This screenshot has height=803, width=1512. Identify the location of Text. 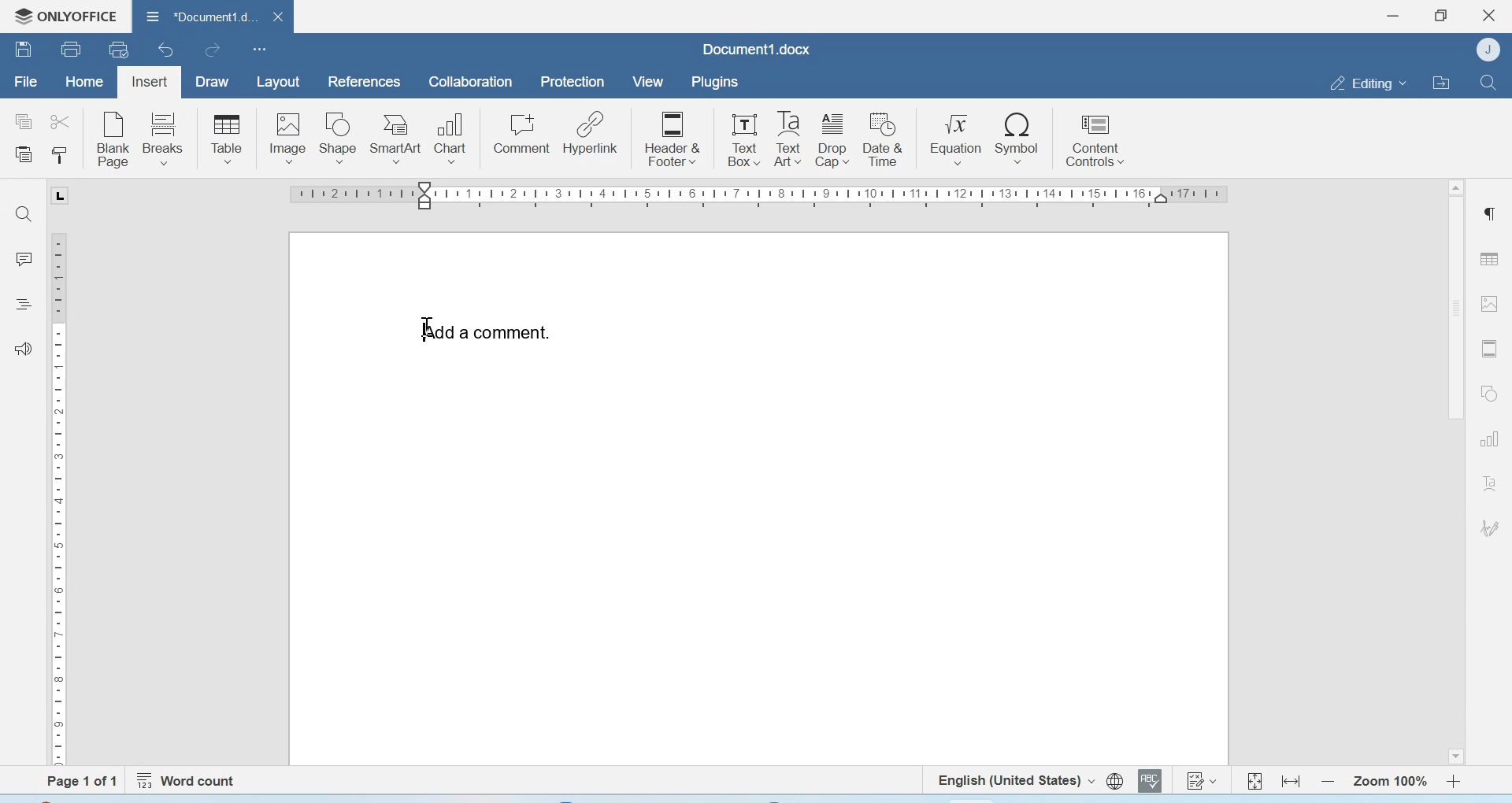
(1490, 483).